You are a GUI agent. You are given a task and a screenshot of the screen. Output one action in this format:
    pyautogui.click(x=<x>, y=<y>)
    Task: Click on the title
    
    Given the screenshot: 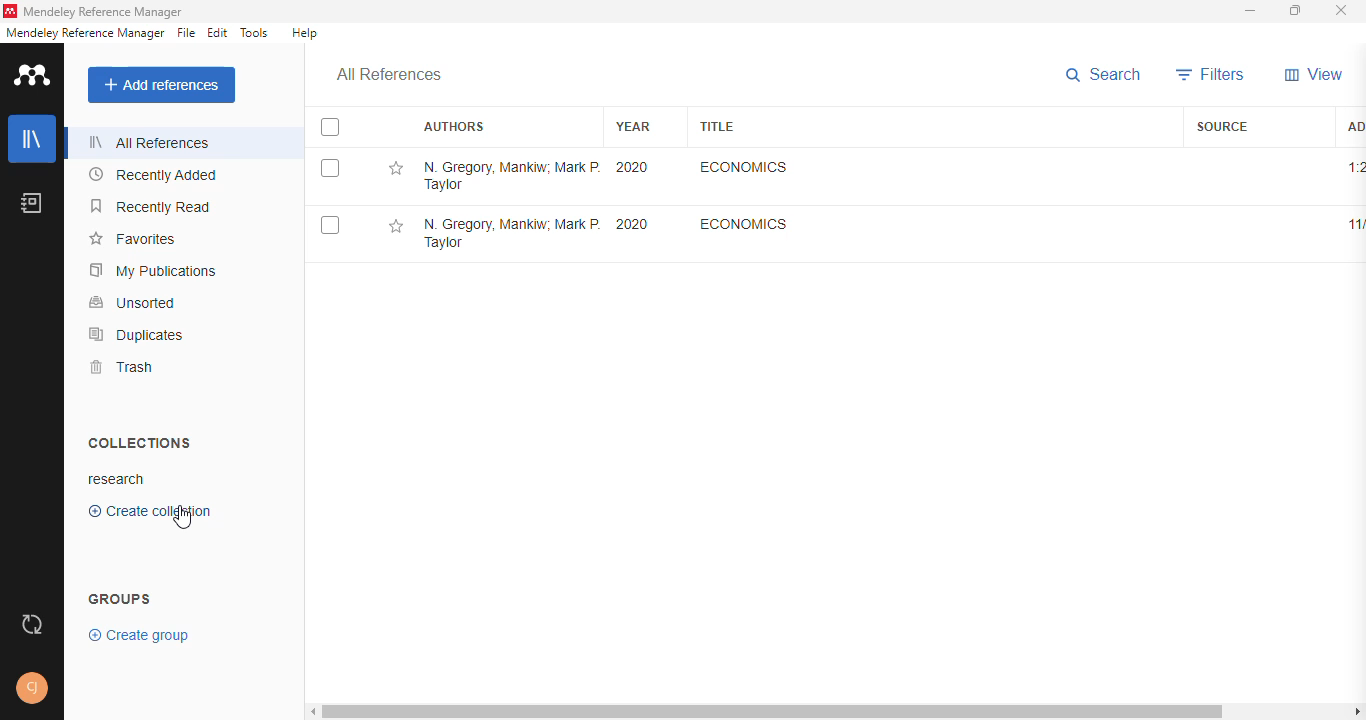 What is the action you would take?
    pyautogui.click(x=716, y=126)
    